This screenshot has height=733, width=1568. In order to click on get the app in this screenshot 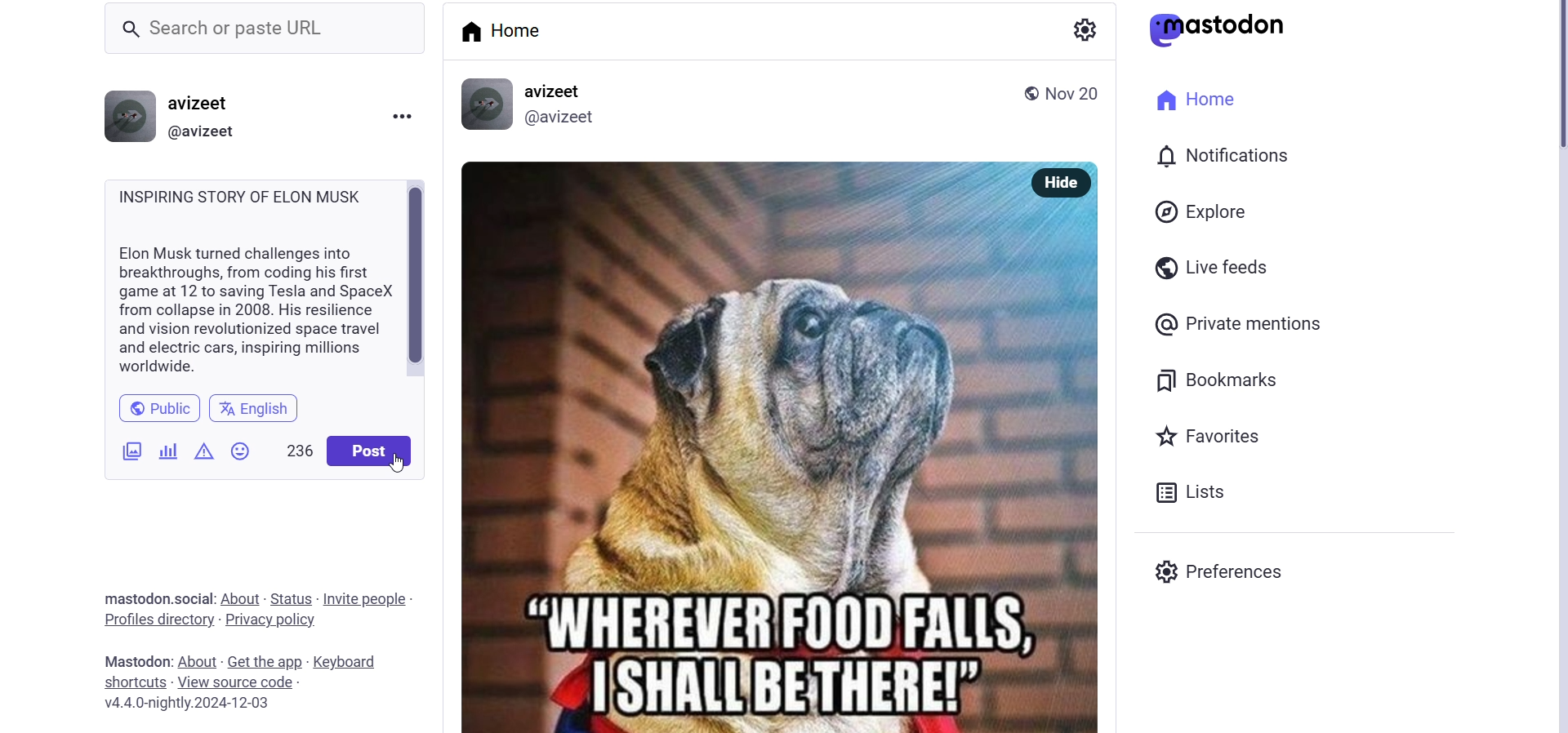, I will do `click(264, 657)`.